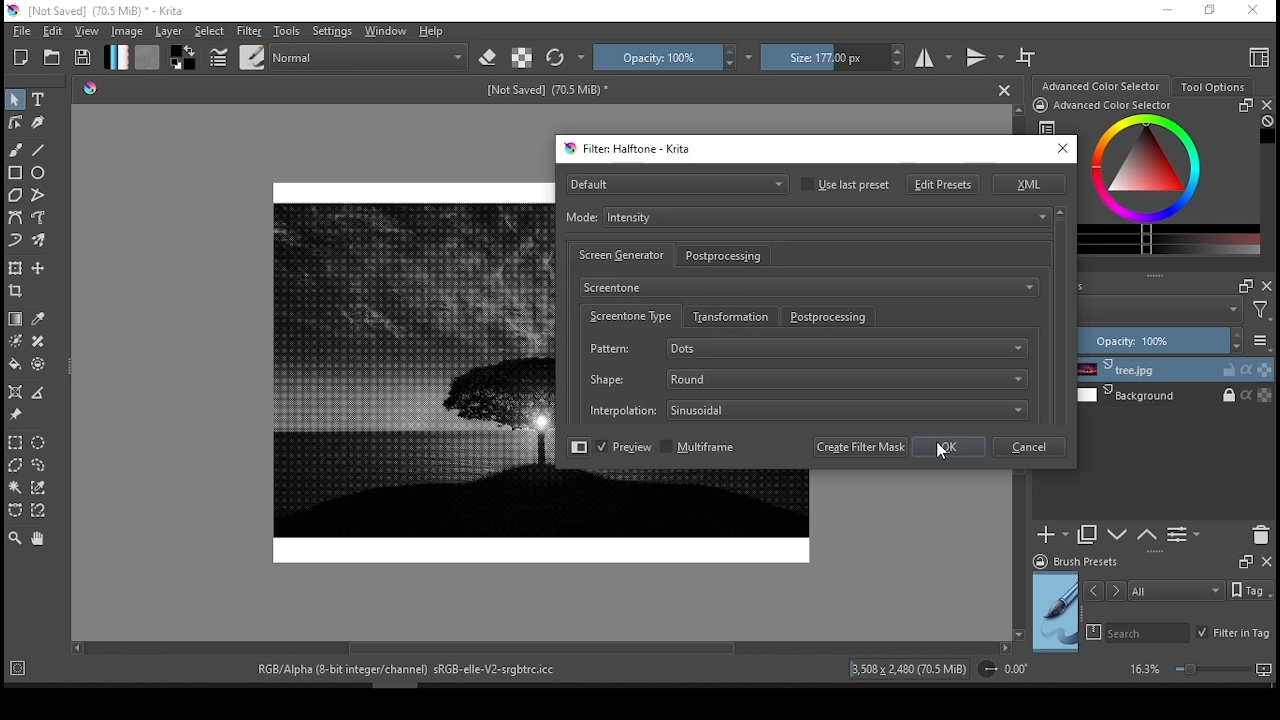 This screenshot has height=720, width=1280. Describe the element at coordinates (809, 287) in the screenshot. I see `screentone` at that location.